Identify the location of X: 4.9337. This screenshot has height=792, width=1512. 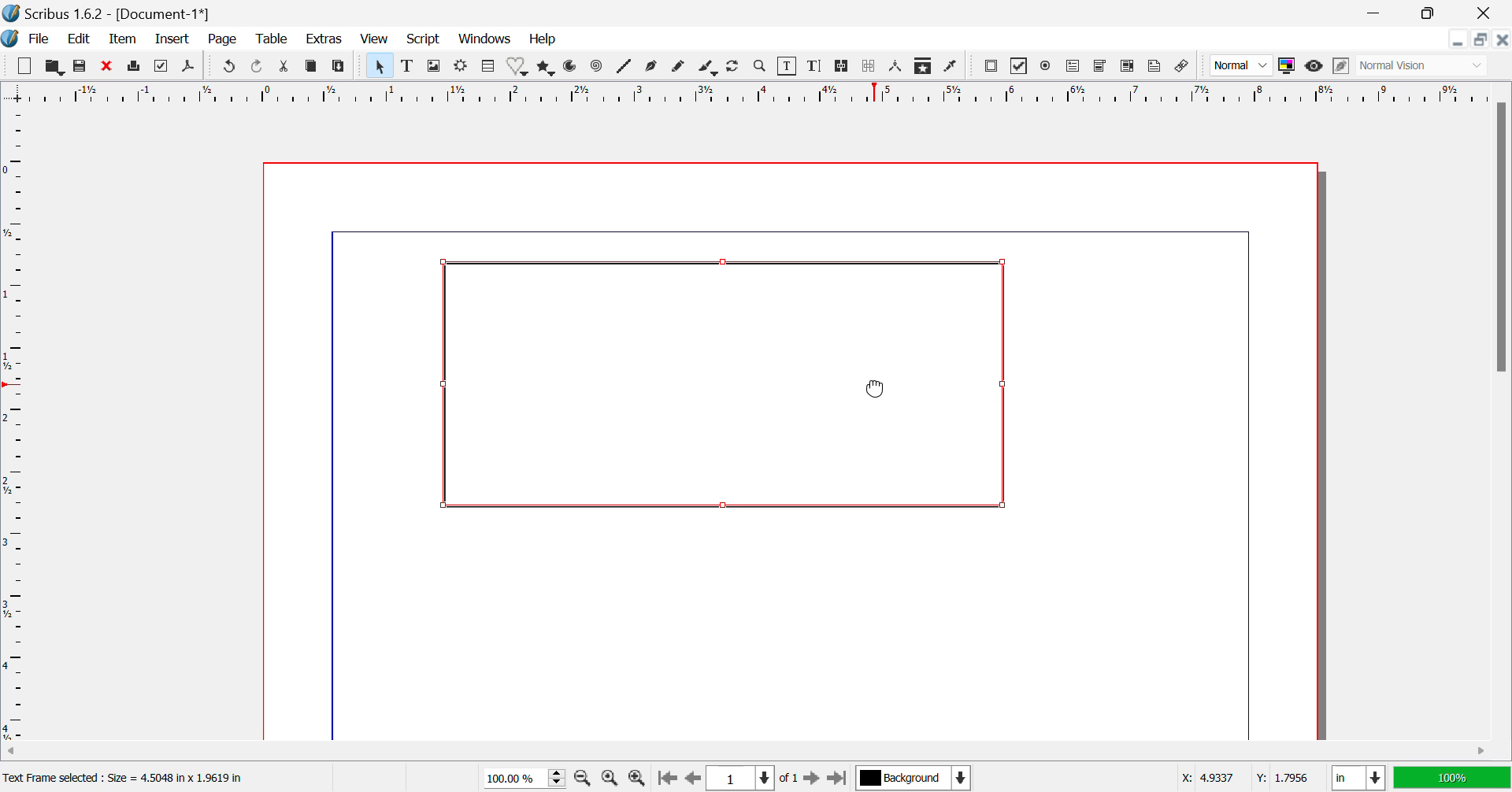
(1206, 775).